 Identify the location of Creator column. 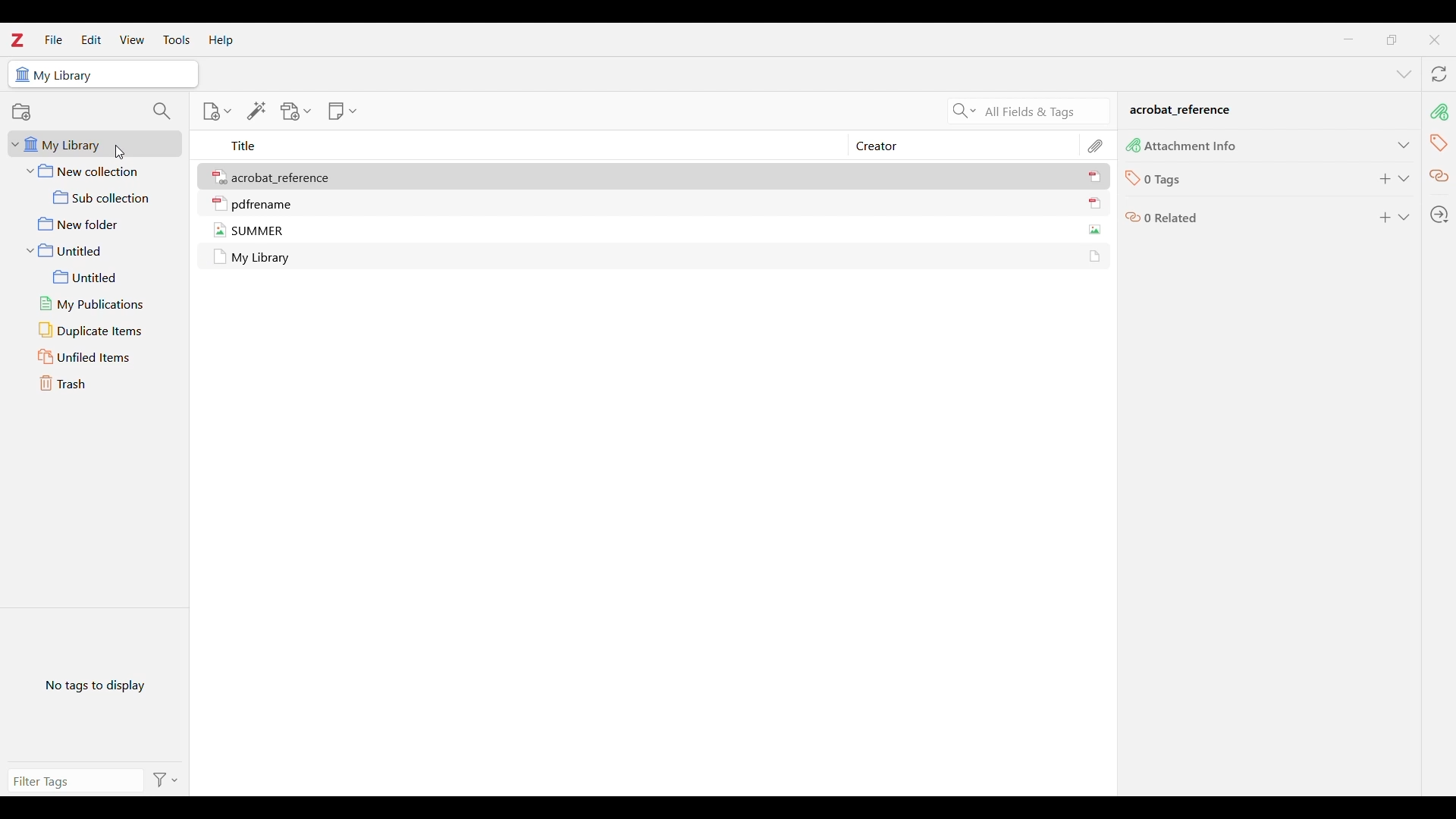
(880, 146).